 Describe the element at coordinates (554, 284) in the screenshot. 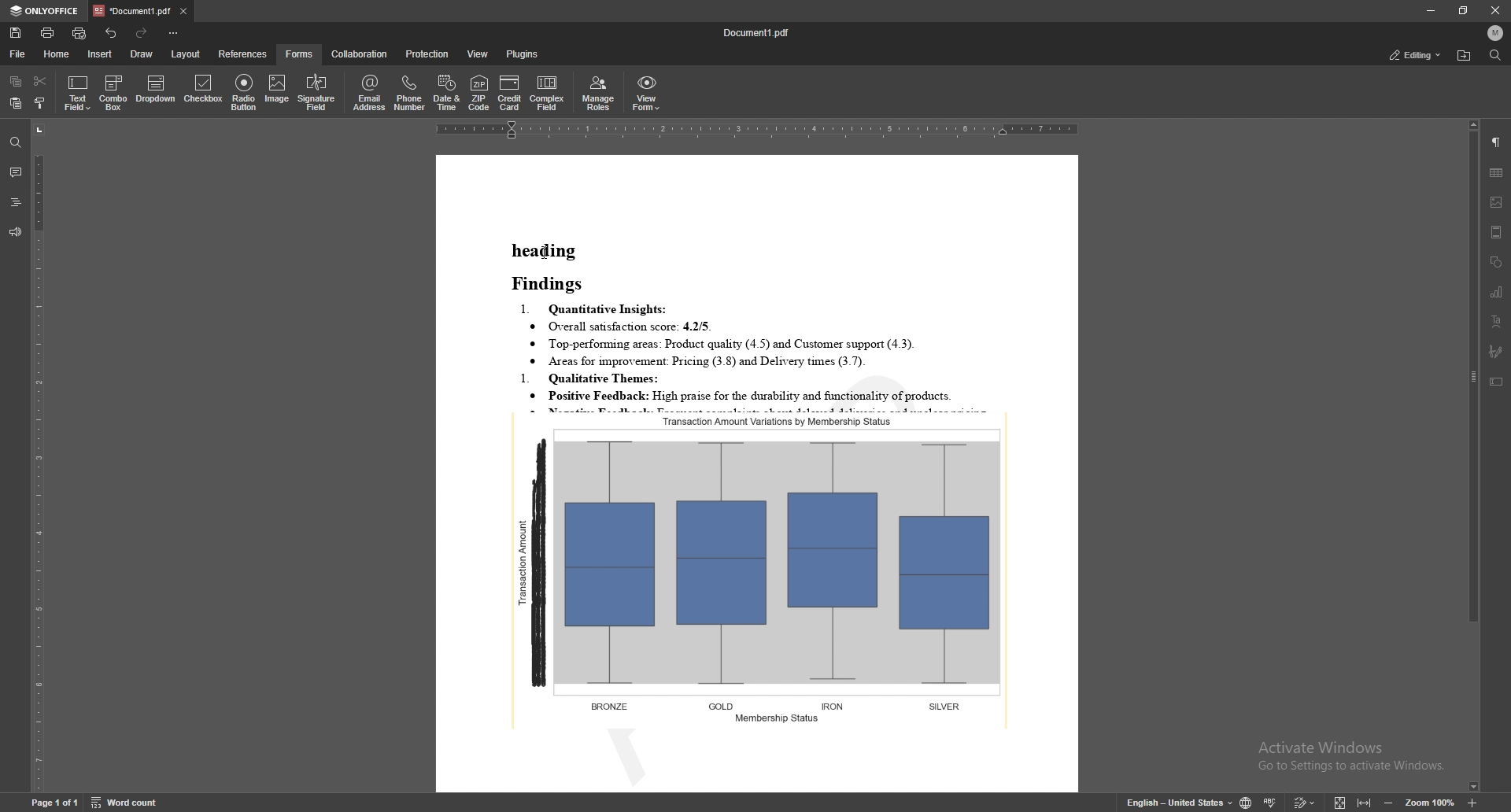

I see `Findings` at that location.